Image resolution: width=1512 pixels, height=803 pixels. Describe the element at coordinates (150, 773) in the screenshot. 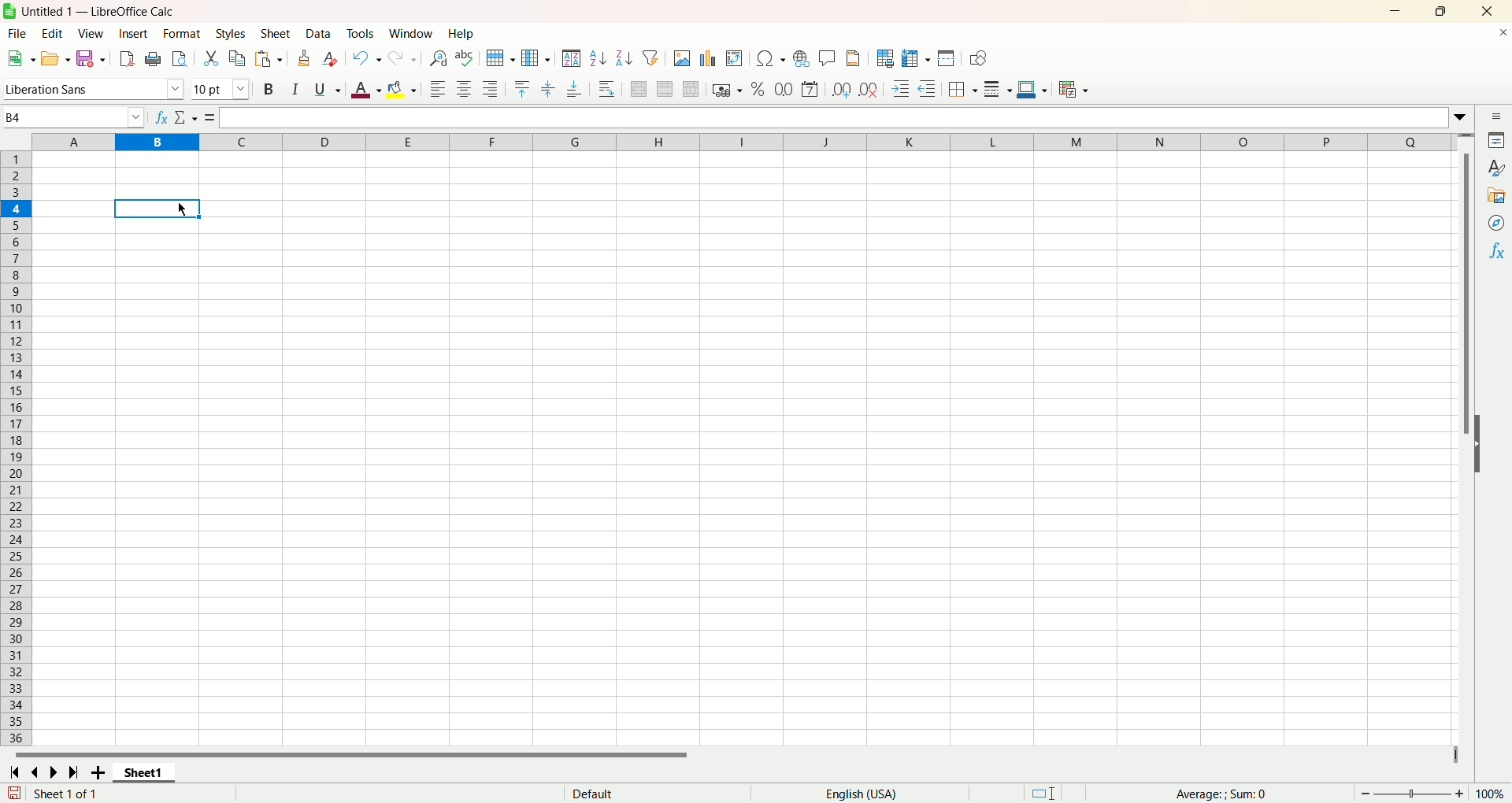

I see `sheet name` at that location.